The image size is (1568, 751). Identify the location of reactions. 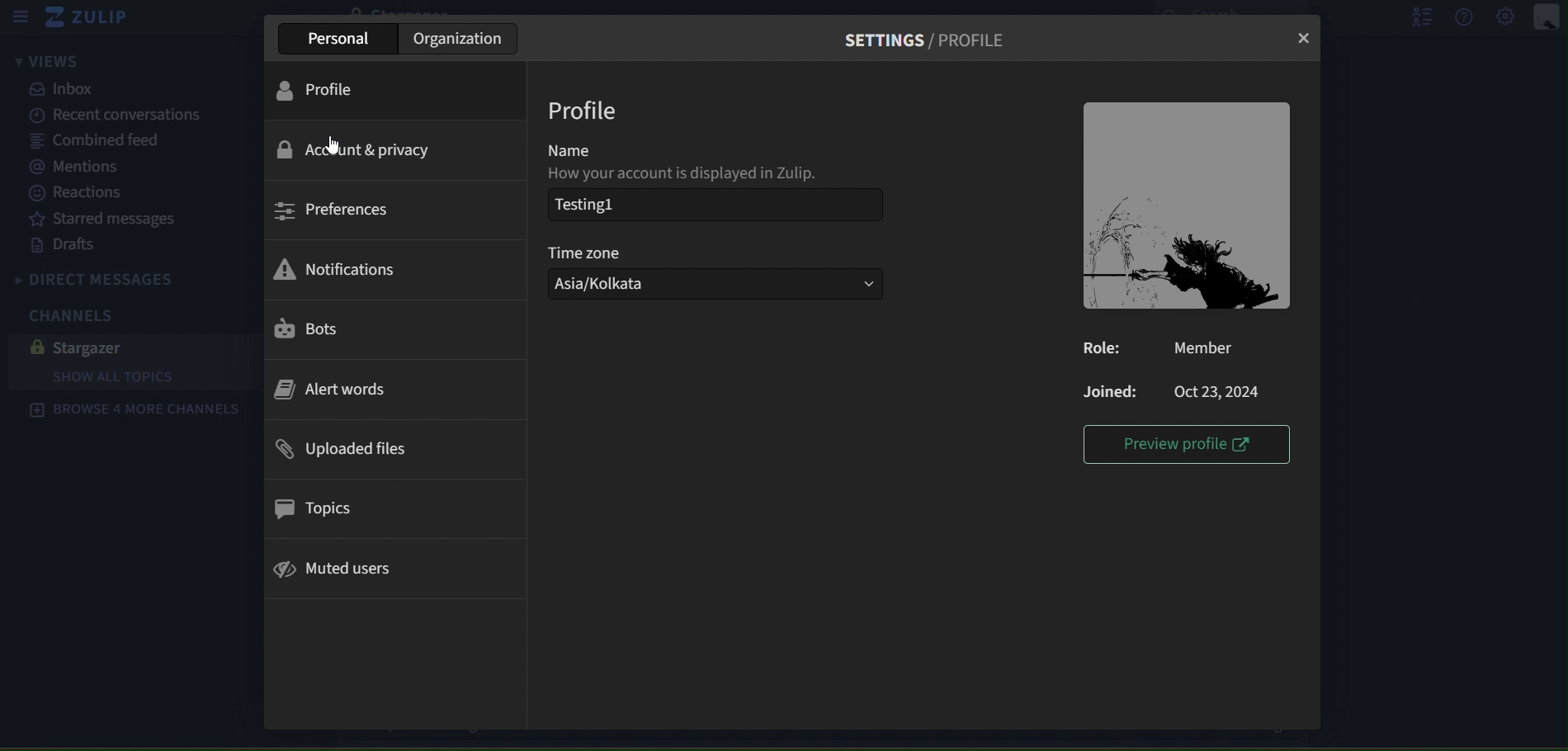
(92, 193).